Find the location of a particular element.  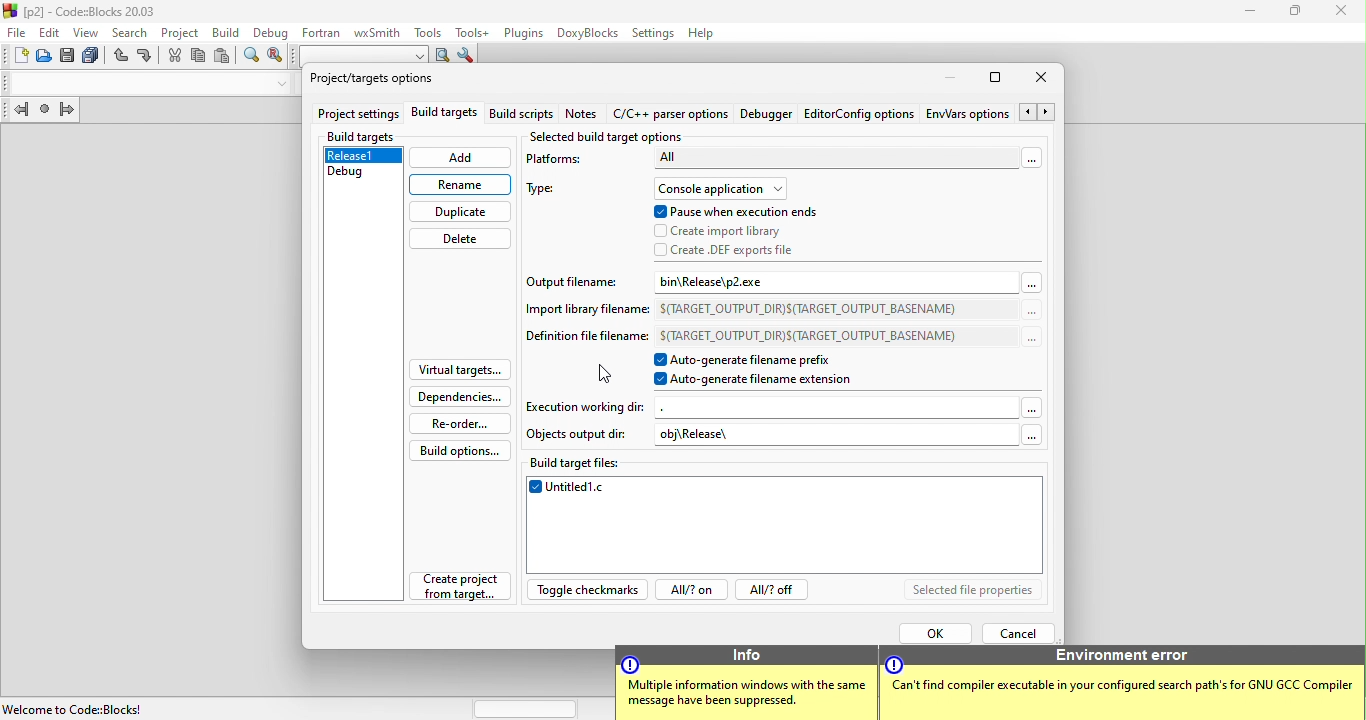

welcome to code blocks is located at coordinates (81, 707).